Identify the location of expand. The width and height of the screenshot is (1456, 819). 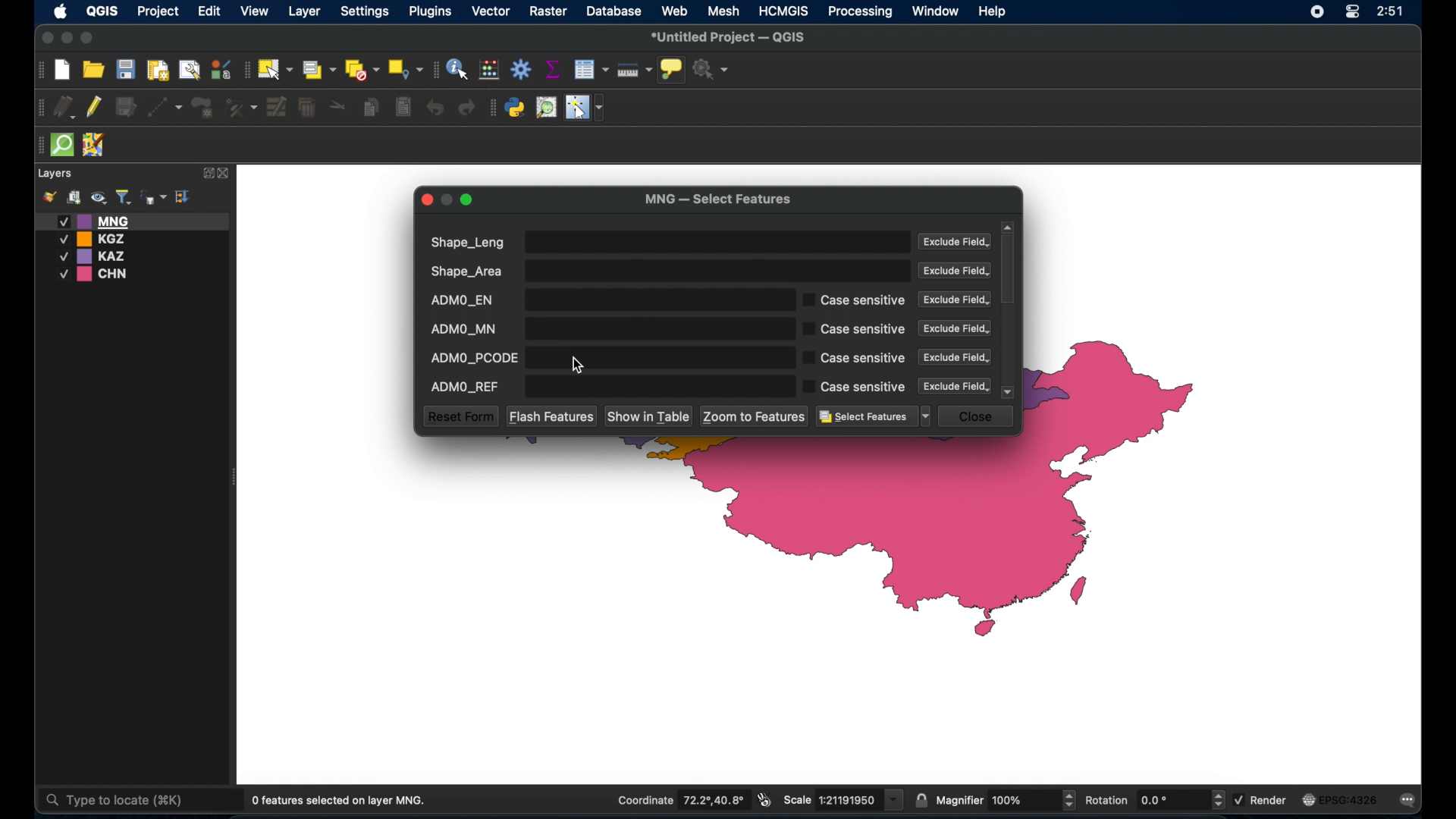
(206, 173).